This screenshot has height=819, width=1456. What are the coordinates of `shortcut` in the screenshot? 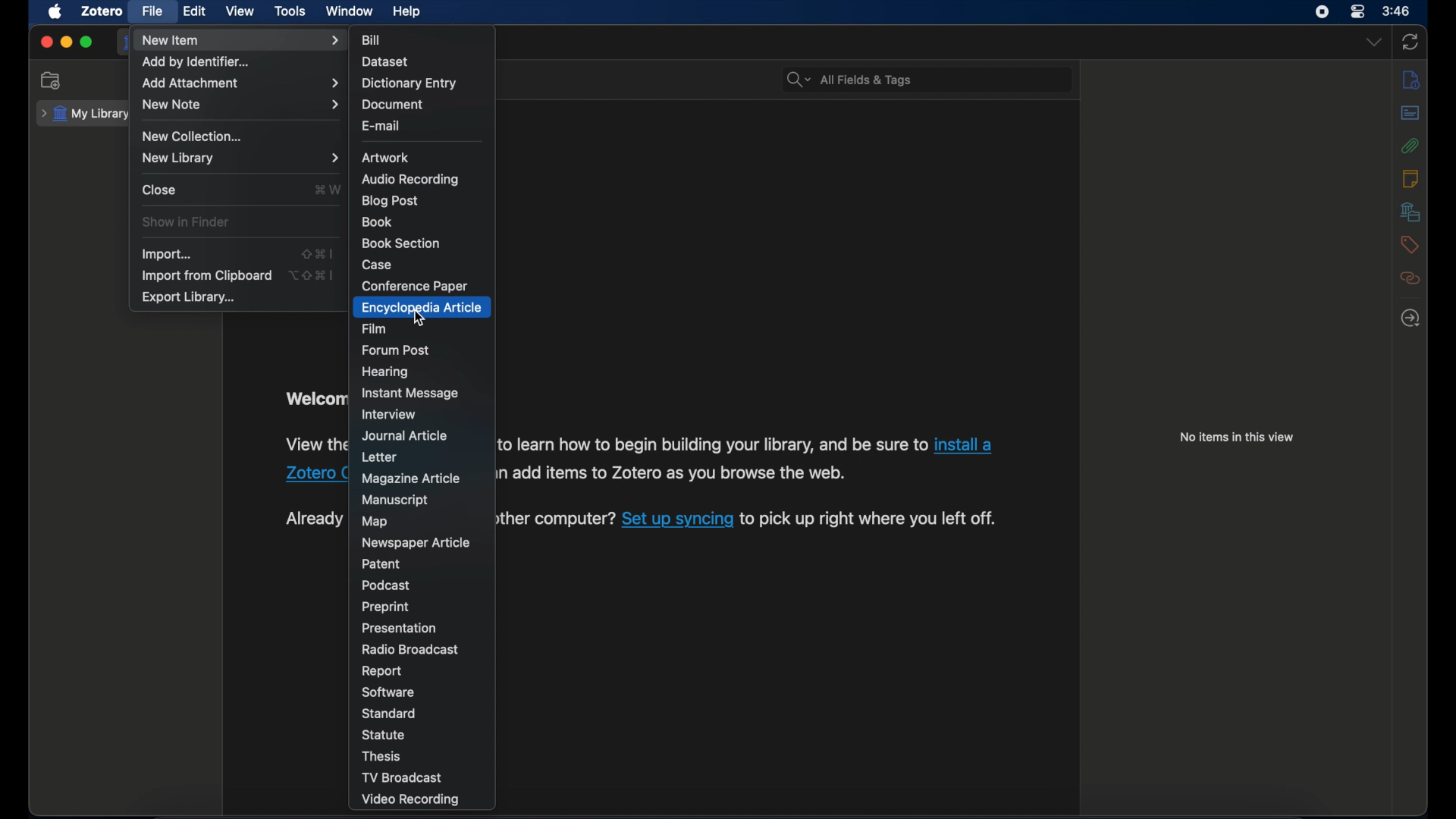 It's located at (328, 189).